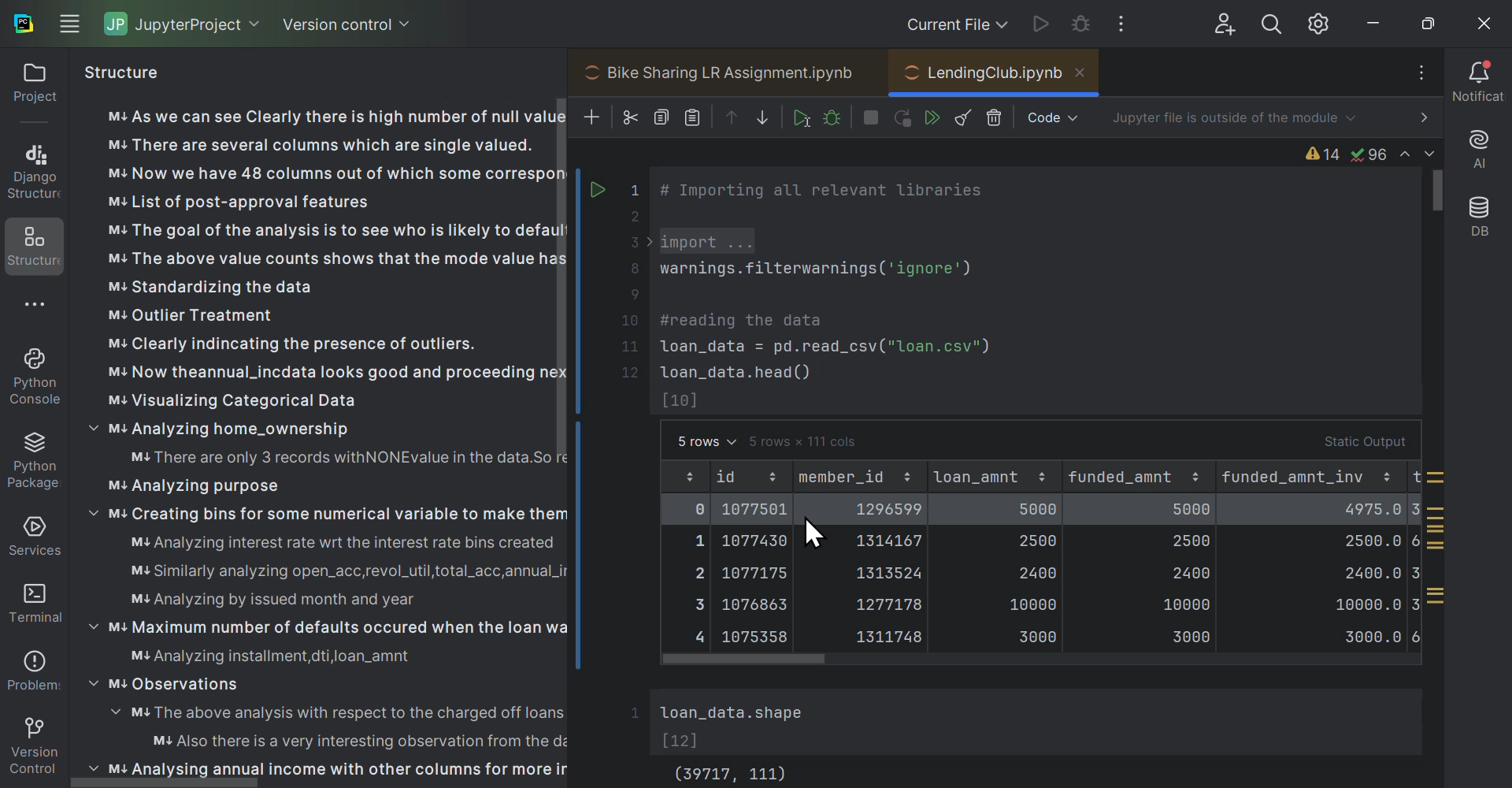 The image size is (1512, 788). I want to click on Projects, so click(837, 72).